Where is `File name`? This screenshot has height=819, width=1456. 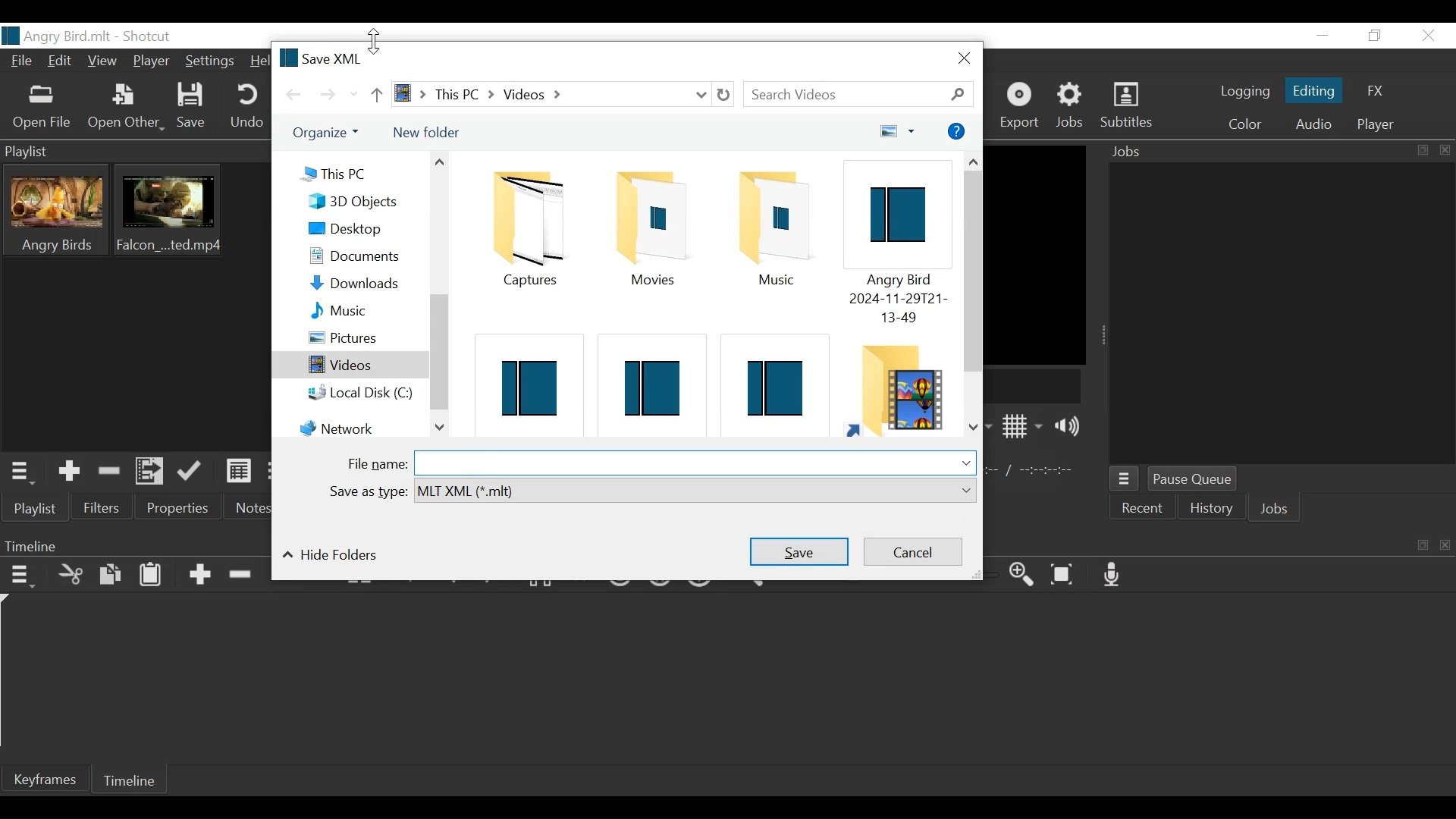 File name is located at coordinates (55, 37).